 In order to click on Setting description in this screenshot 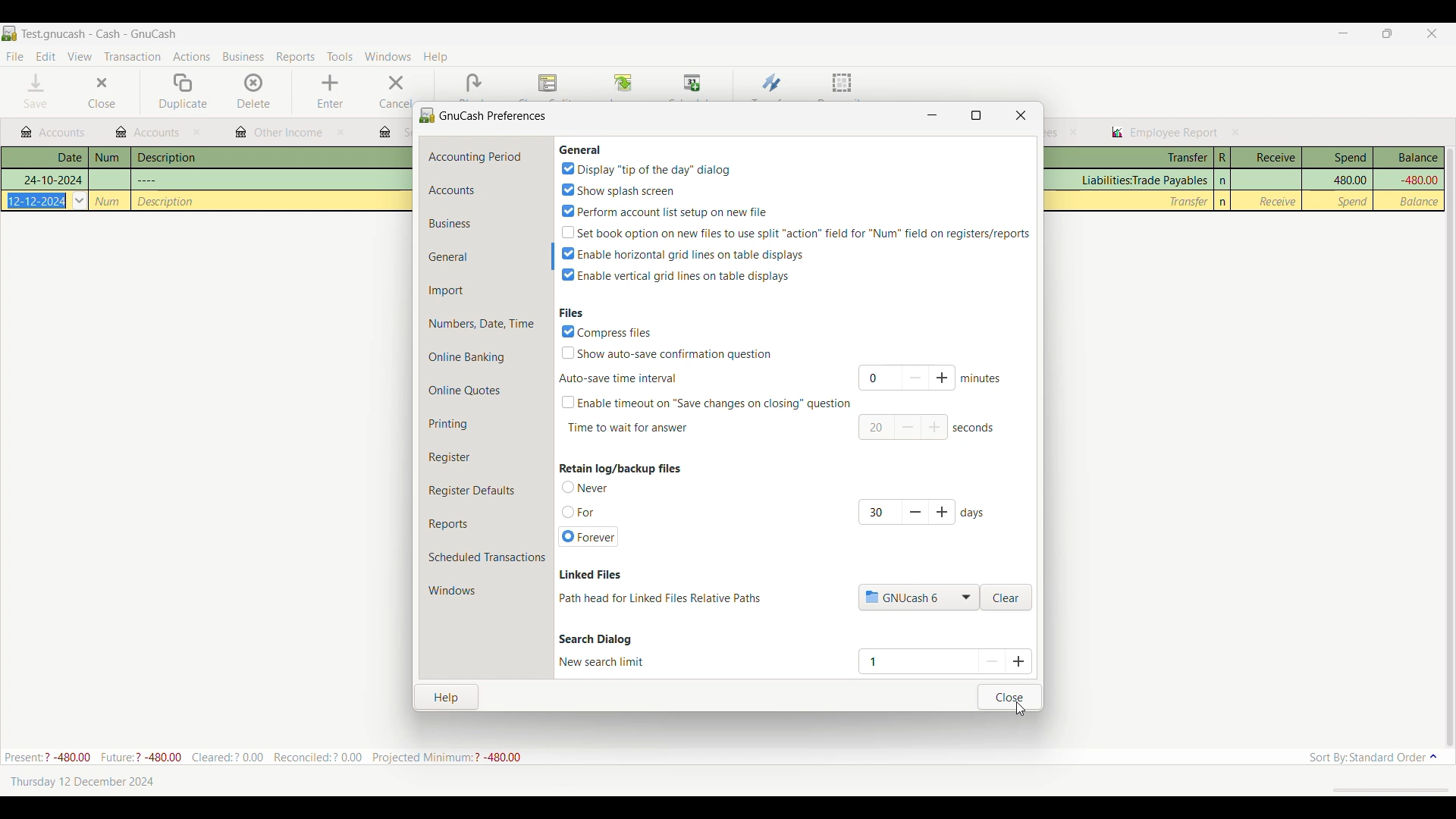, I will do `click(660, 598)`.